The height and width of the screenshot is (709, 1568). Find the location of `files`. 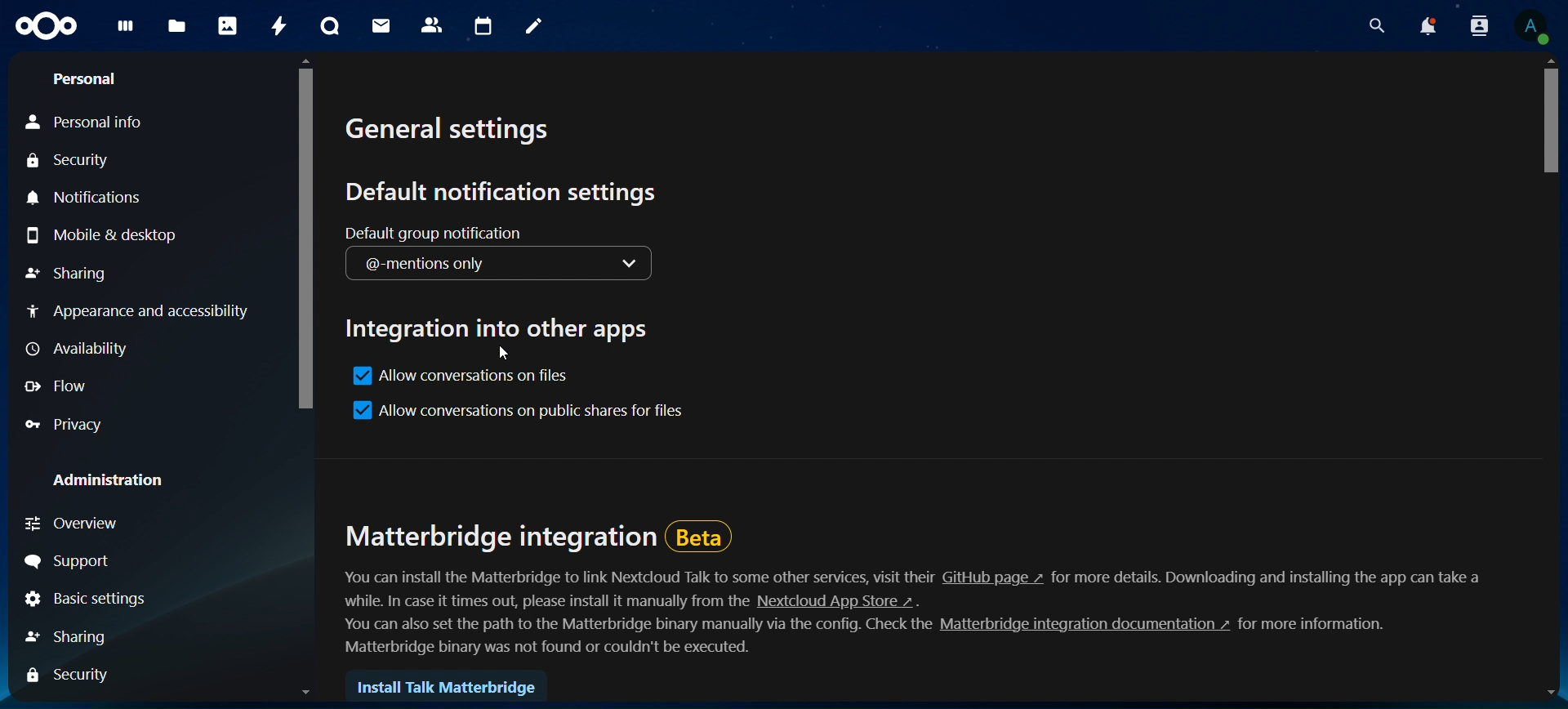

files is located at coordinates (180, 27).